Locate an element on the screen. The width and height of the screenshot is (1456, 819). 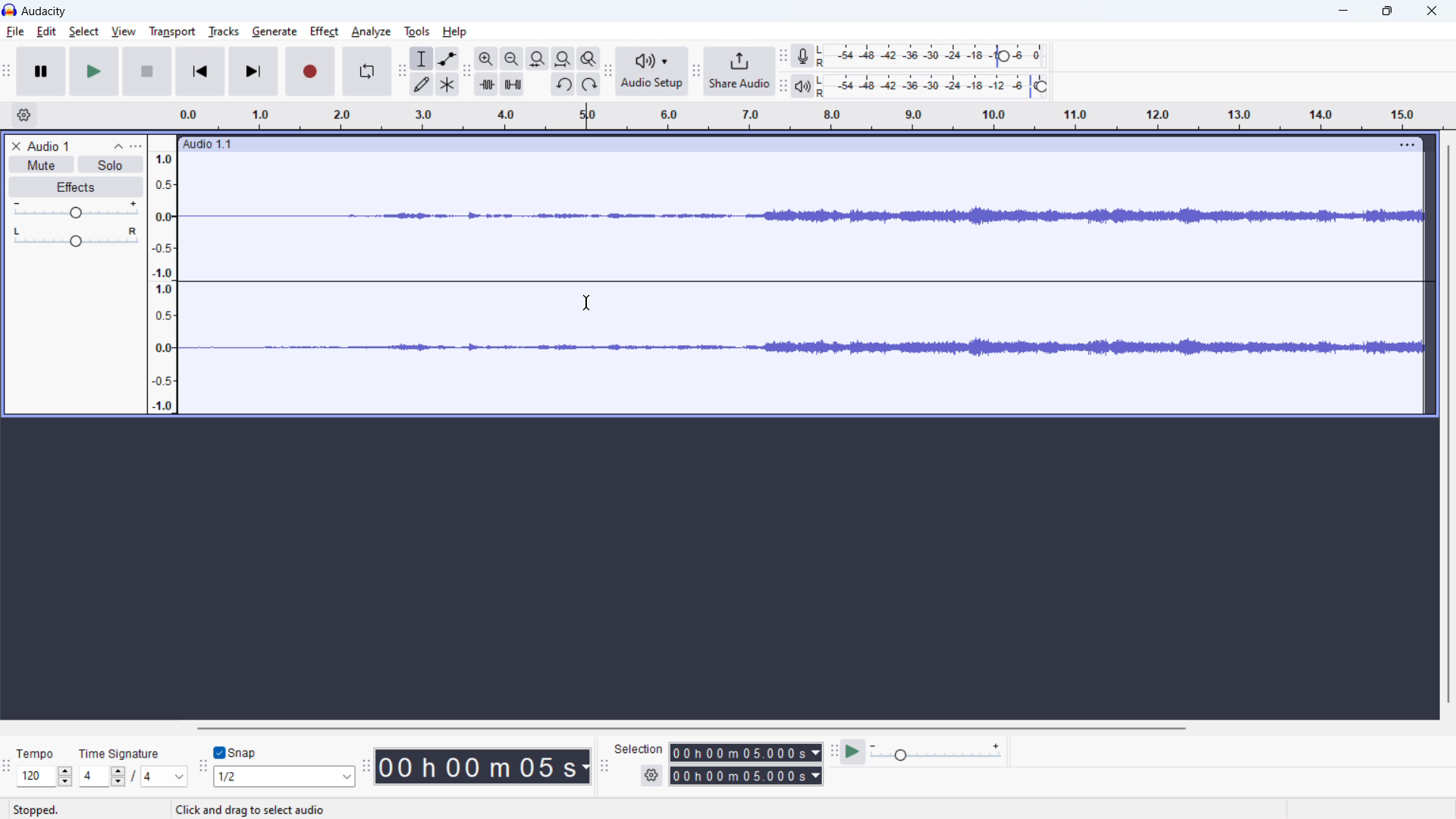
LR is located at coordinates (825, 83).